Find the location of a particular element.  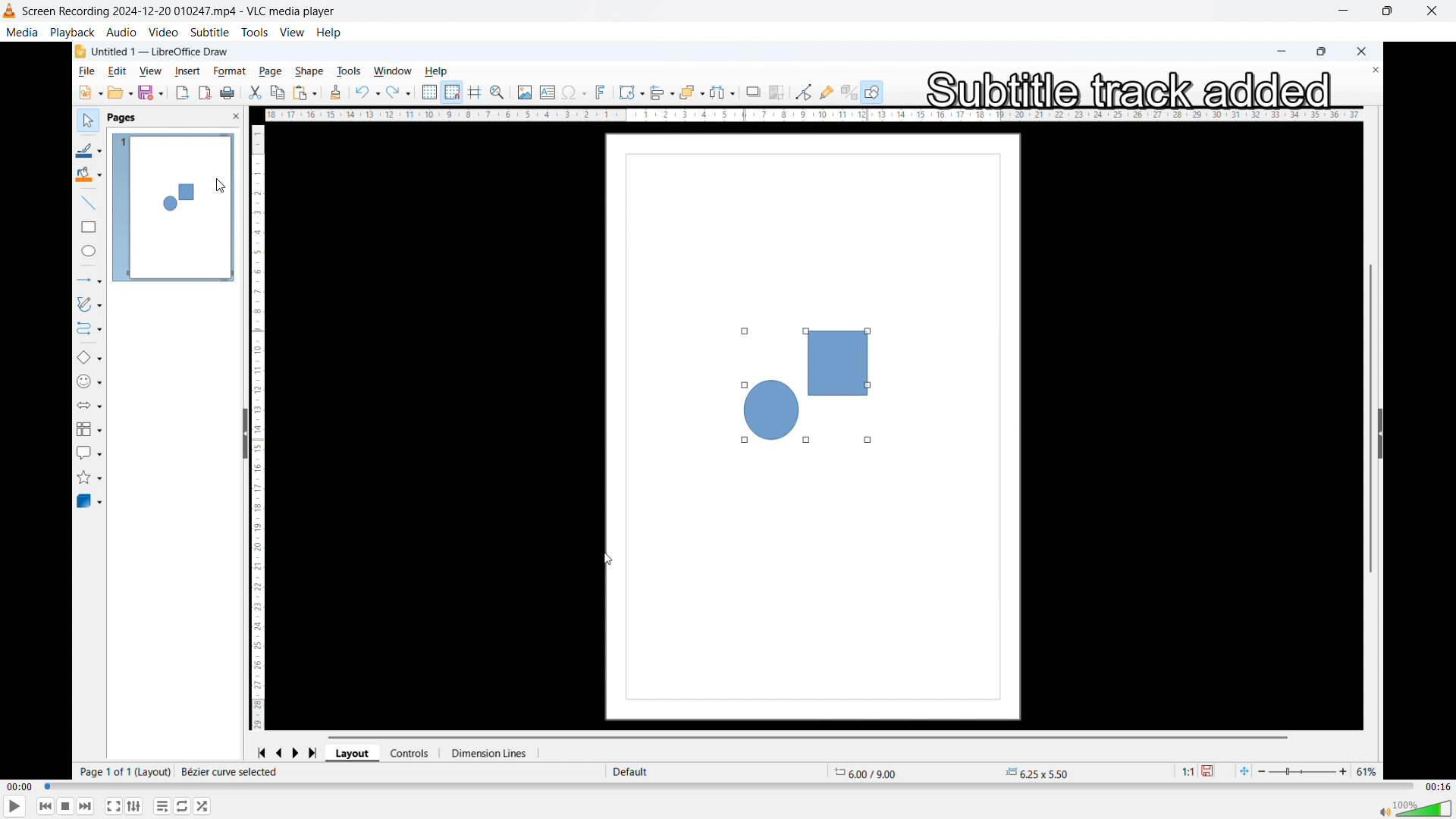

connectors is located at coordinates (88, 331).